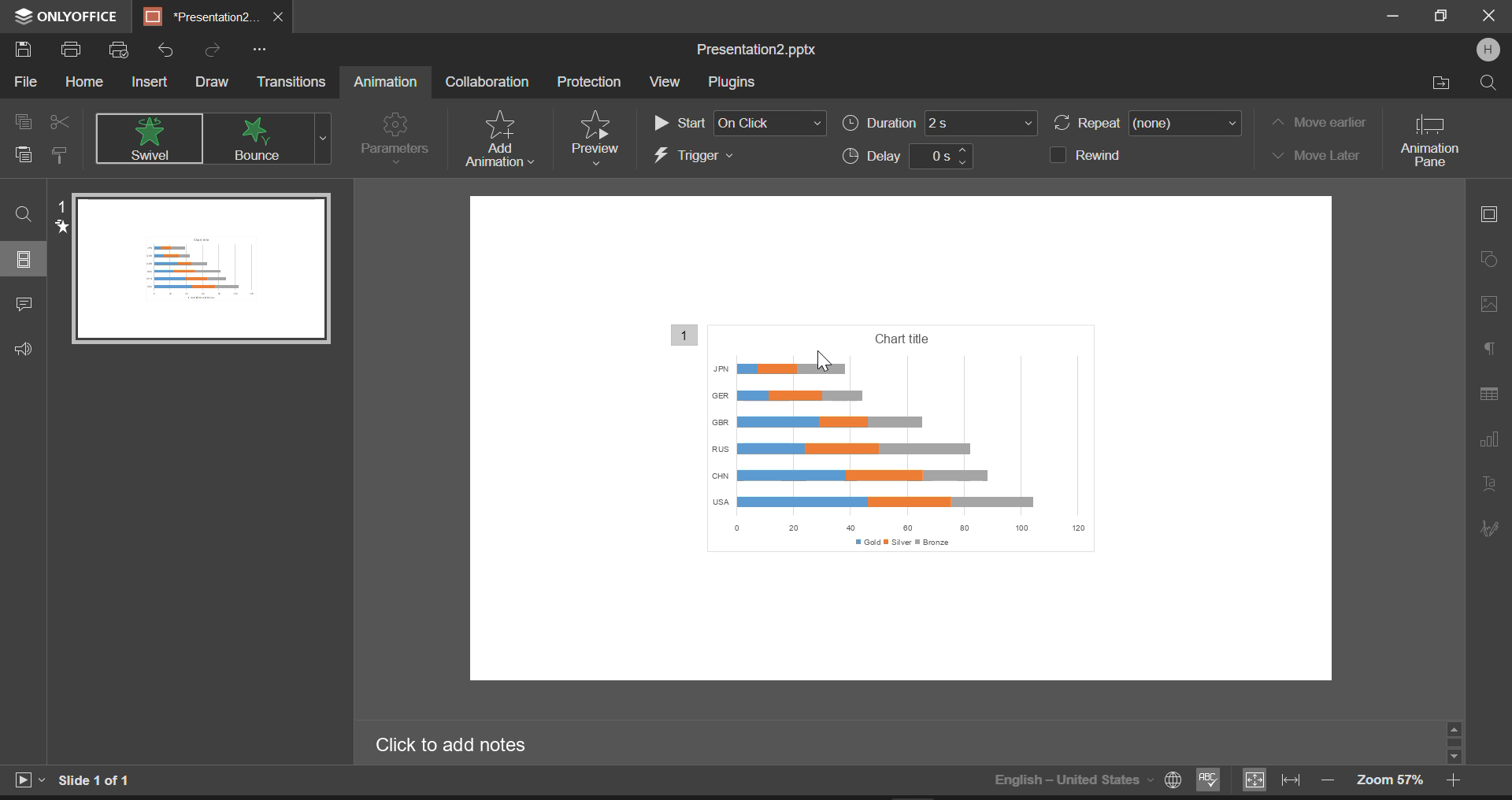 Image resolution: width=1512 pixels, height=800 pixels. What do you see at coordinates (1086, 780) in the screenshot?
I see `English-United States` at bounding box center [1086, 780].